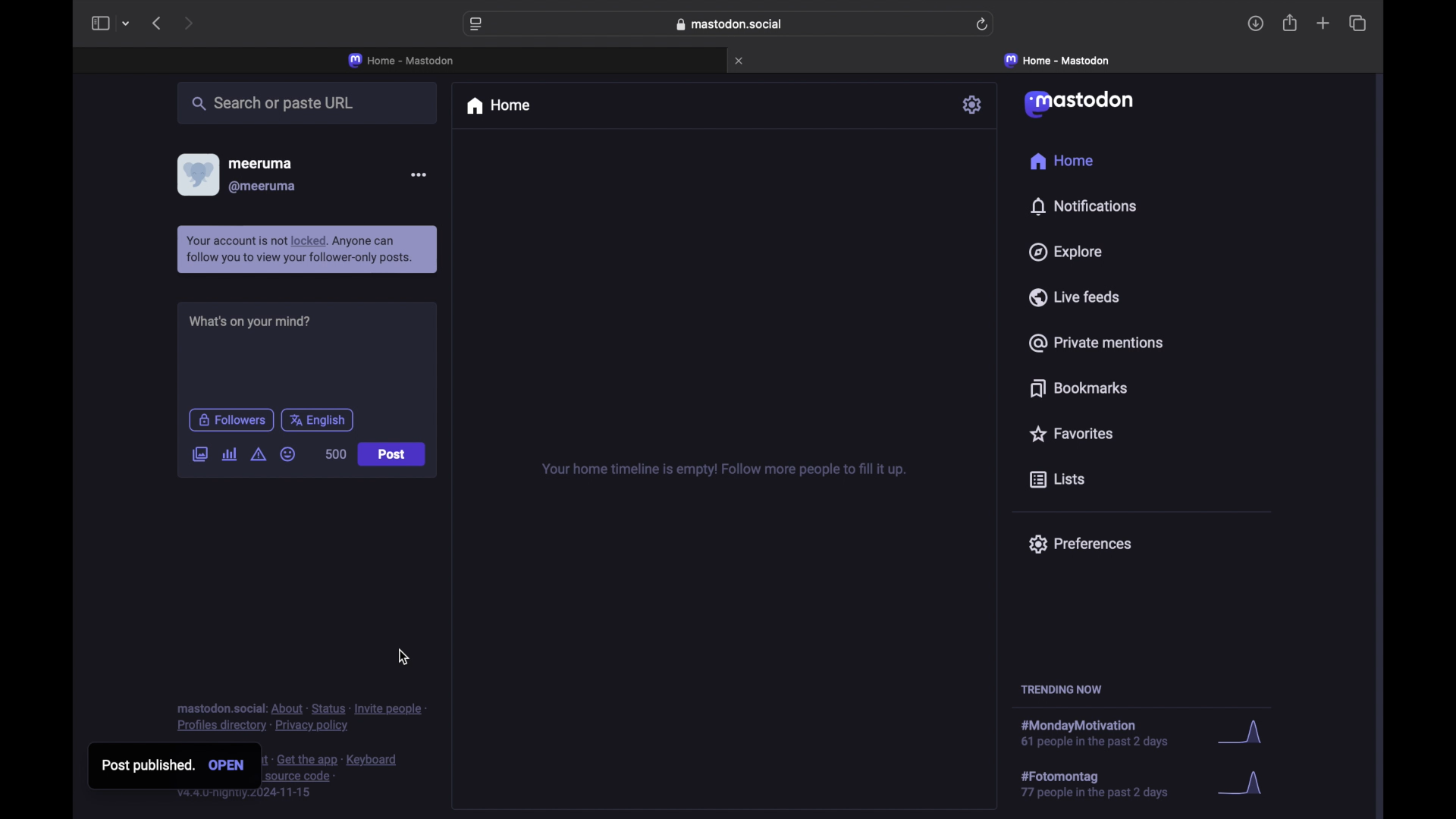 This screenshot has width=1456, height=819. What do you see at coordinates (128, 24) in the screenshot?
I see `tab group picker` at bounding box center [128, 24].